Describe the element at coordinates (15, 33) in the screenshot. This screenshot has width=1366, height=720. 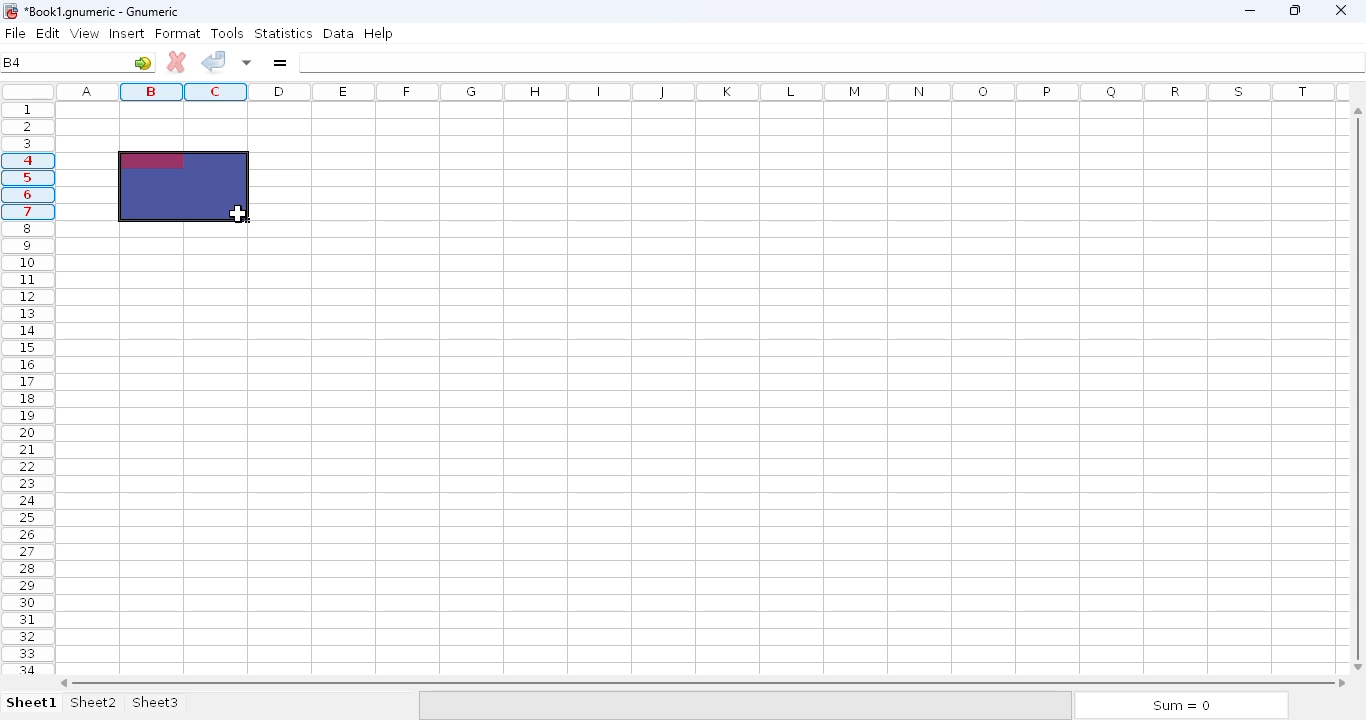
I see `file` at that location.